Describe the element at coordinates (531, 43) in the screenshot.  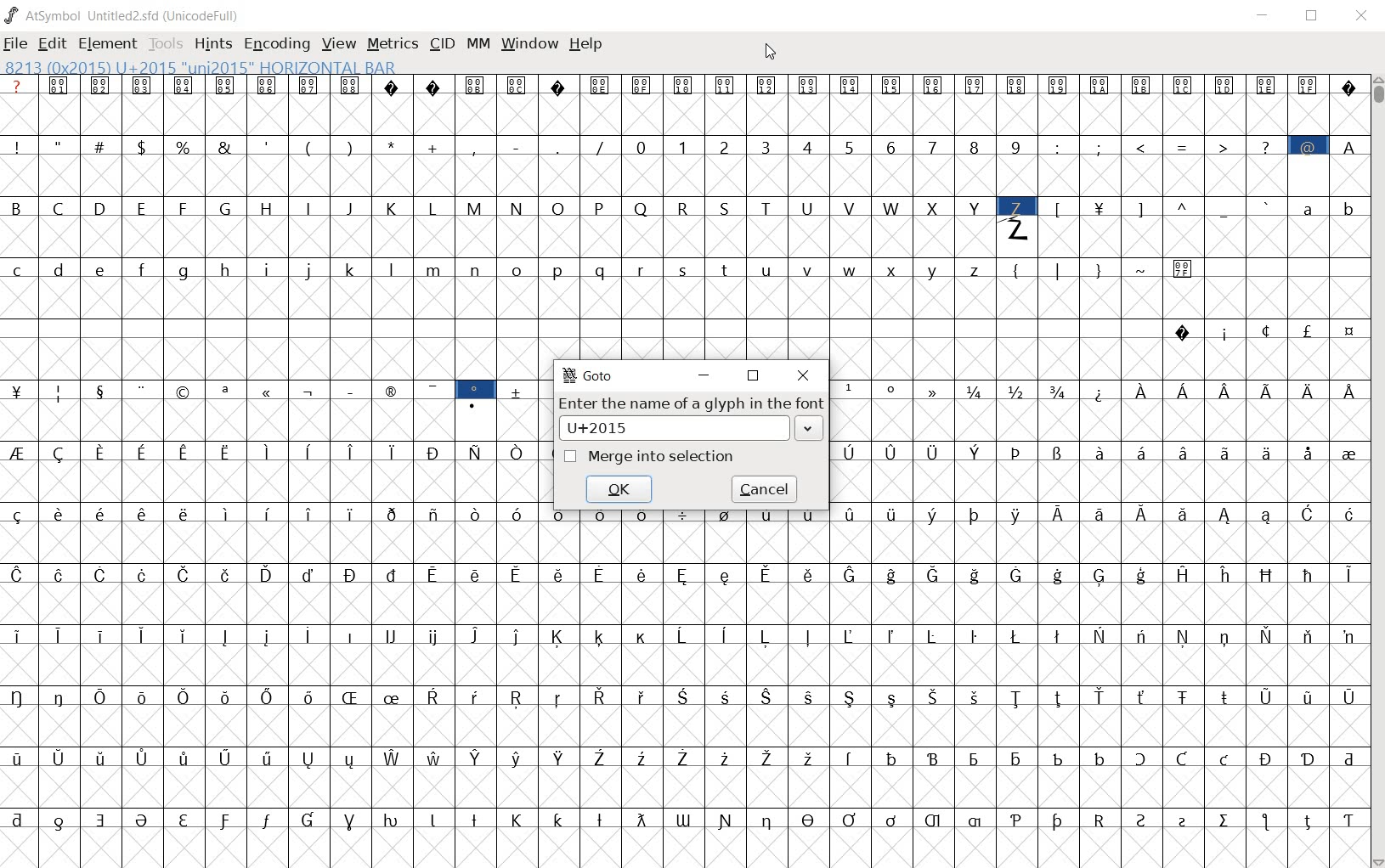
I see `WINDOW` at that location.